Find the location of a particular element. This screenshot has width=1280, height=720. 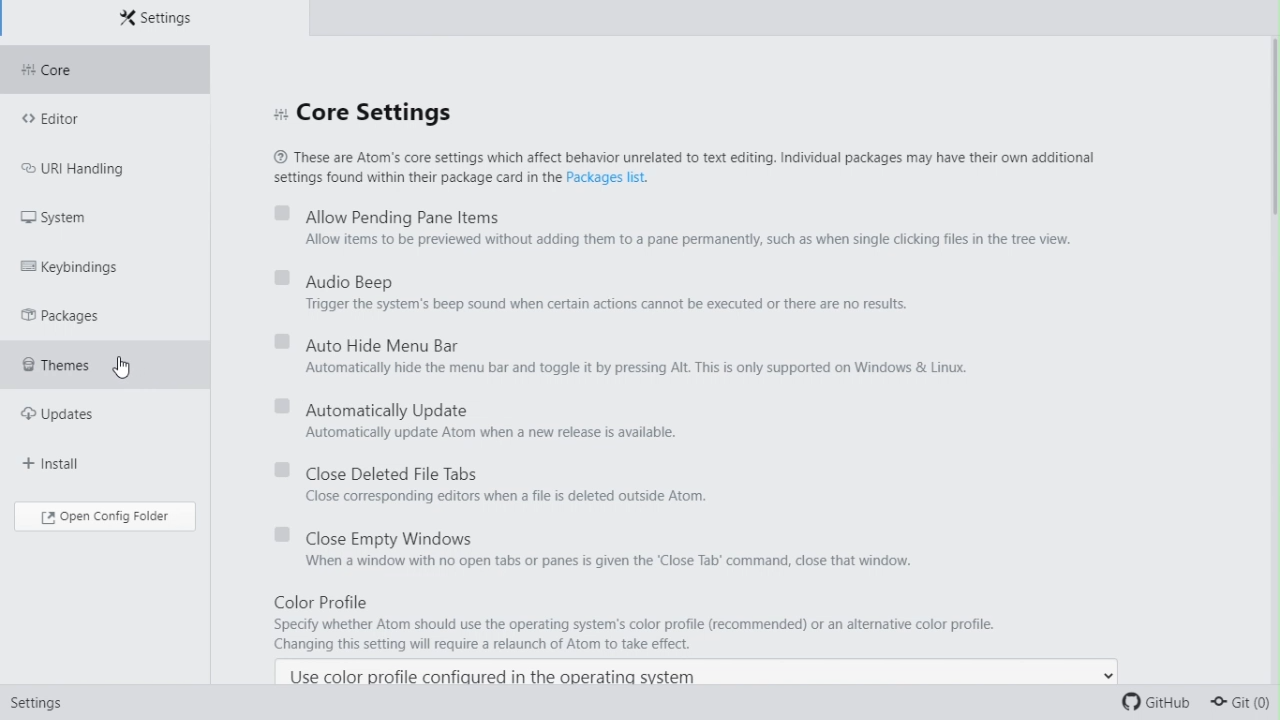

Themes is located at coordinates (82, 368).